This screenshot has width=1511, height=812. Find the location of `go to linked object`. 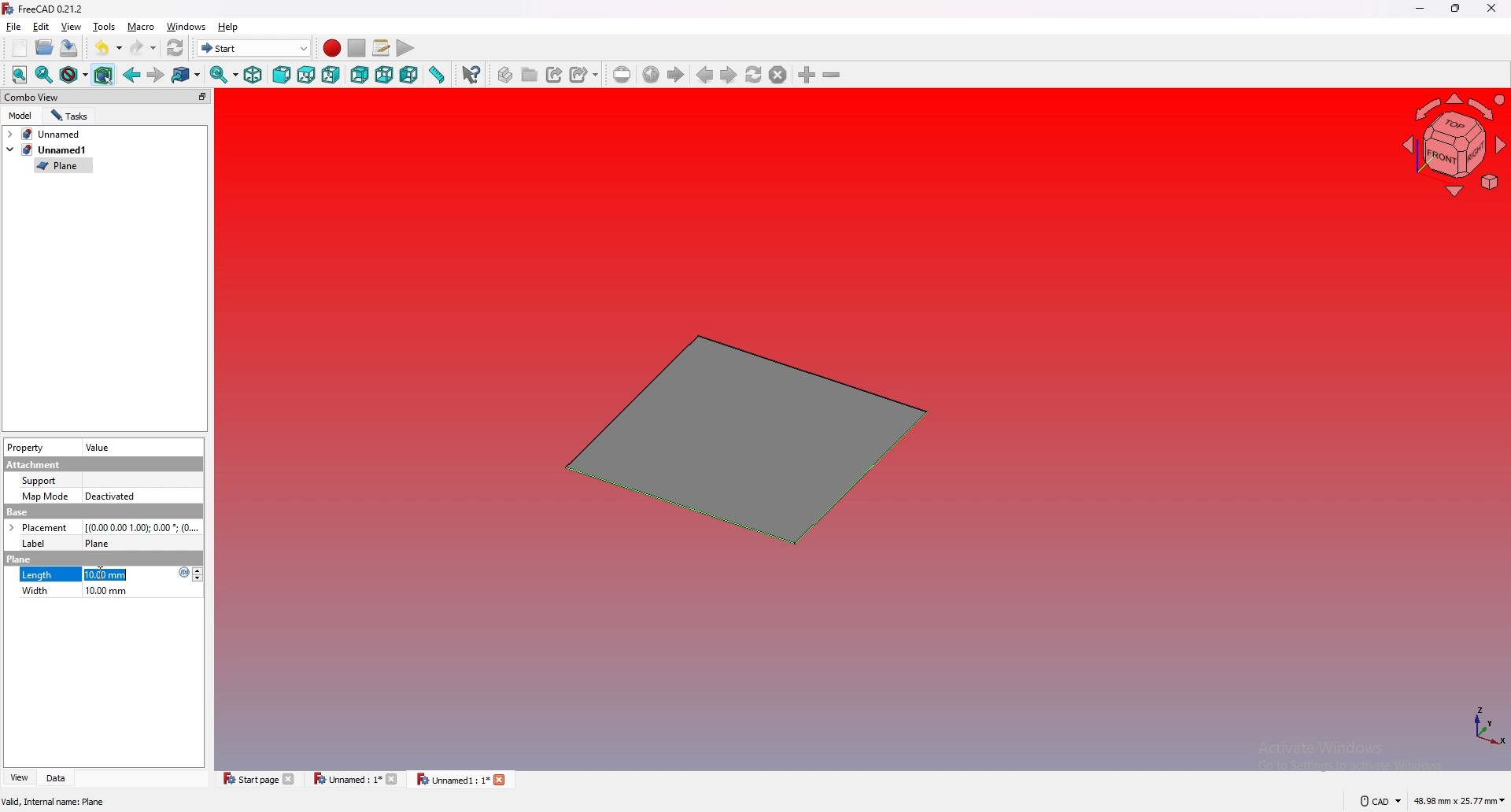

go to linked object is located at coordinates (187, 76).